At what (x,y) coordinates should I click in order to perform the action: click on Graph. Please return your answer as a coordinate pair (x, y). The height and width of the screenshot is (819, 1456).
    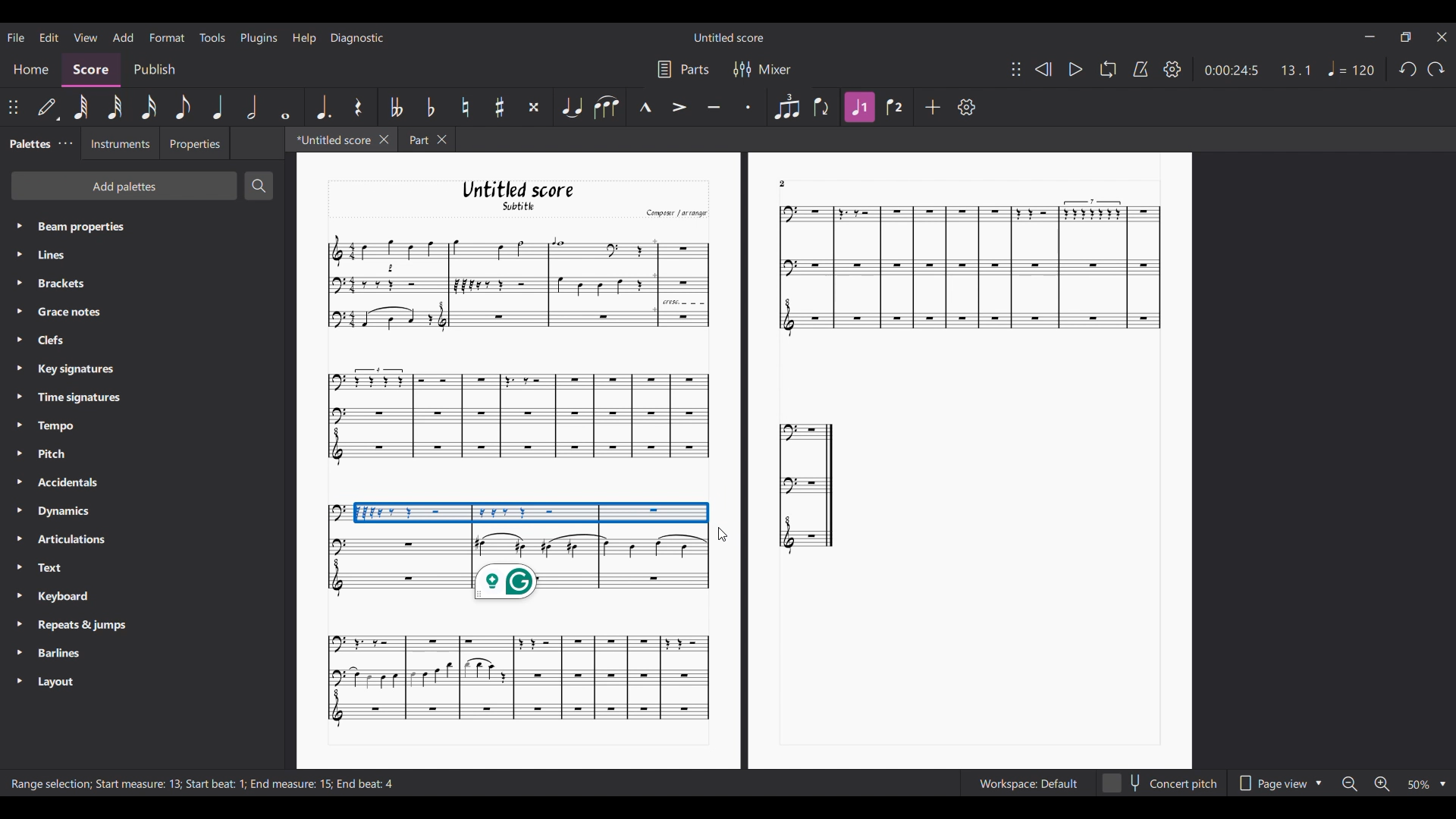
    Looking at the image, I should click on (963, 270).